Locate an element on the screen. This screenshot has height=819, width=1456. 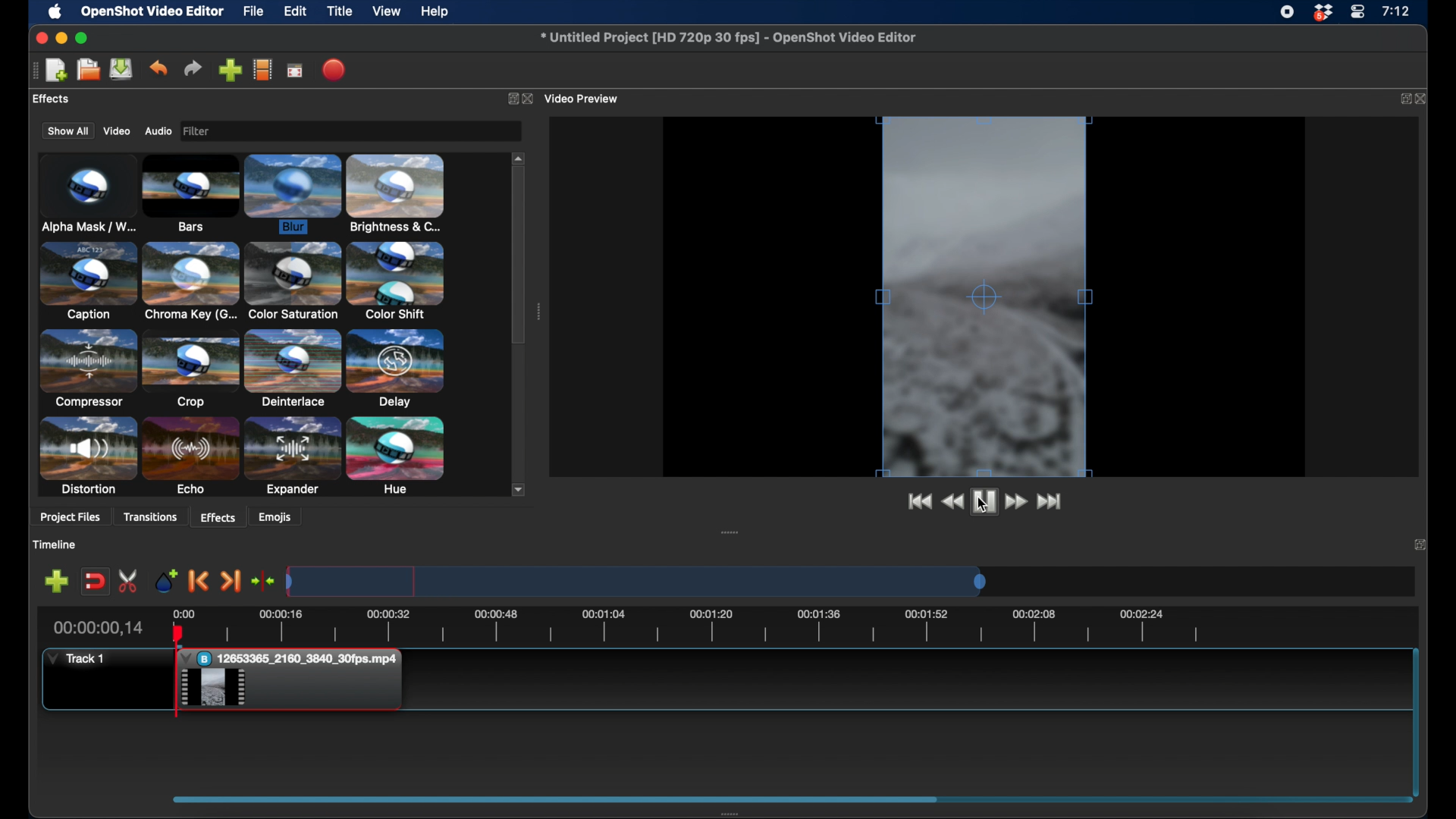
audio is located at coordinates (158, 131).